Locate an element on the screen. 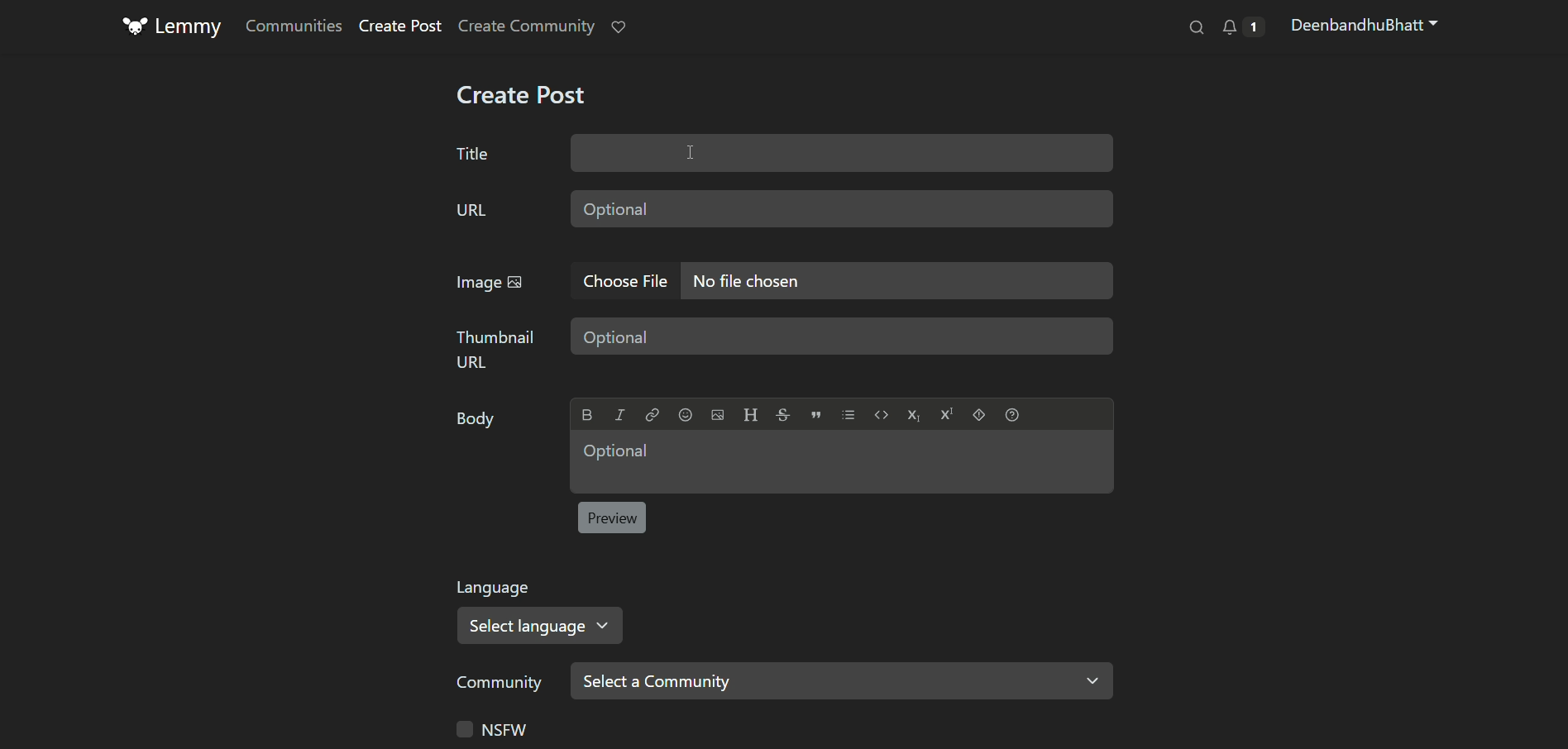  Body is located at coordinates (472, 420).